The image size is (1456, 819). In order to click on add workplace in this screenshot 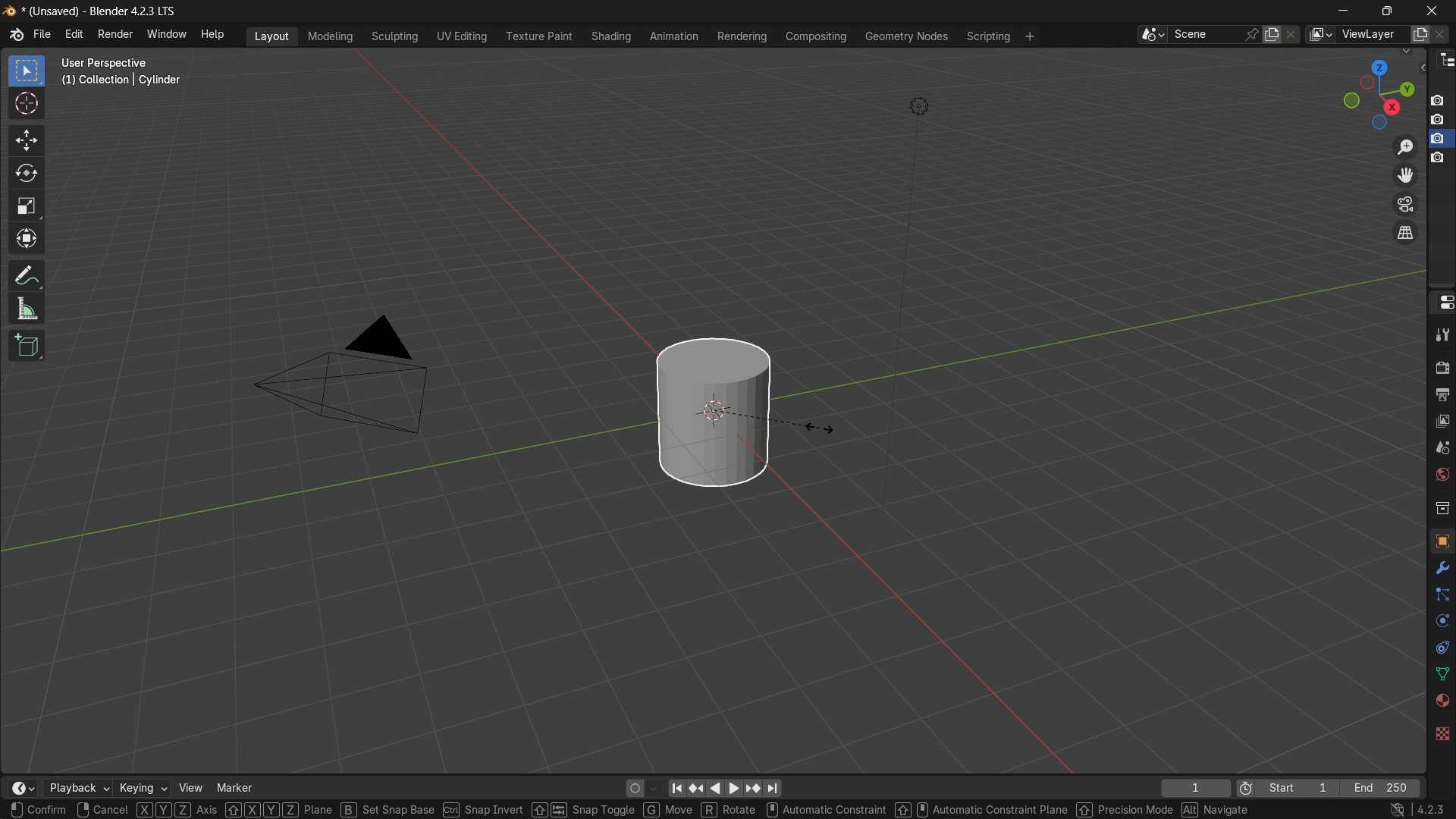, I will do `click(1032, 36)`.